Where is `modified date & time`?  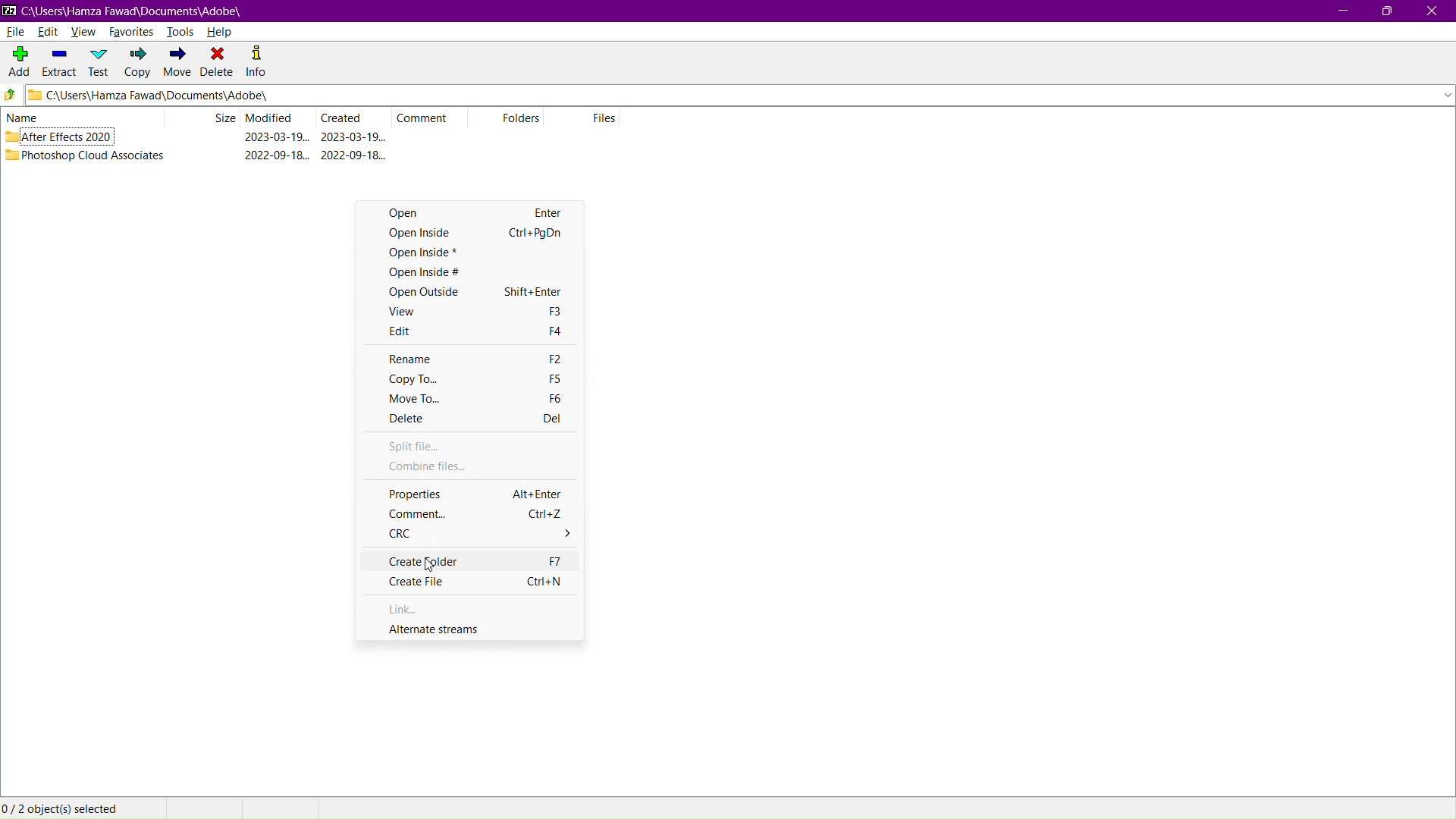 modified date & time is located at coordinates (278, 155).